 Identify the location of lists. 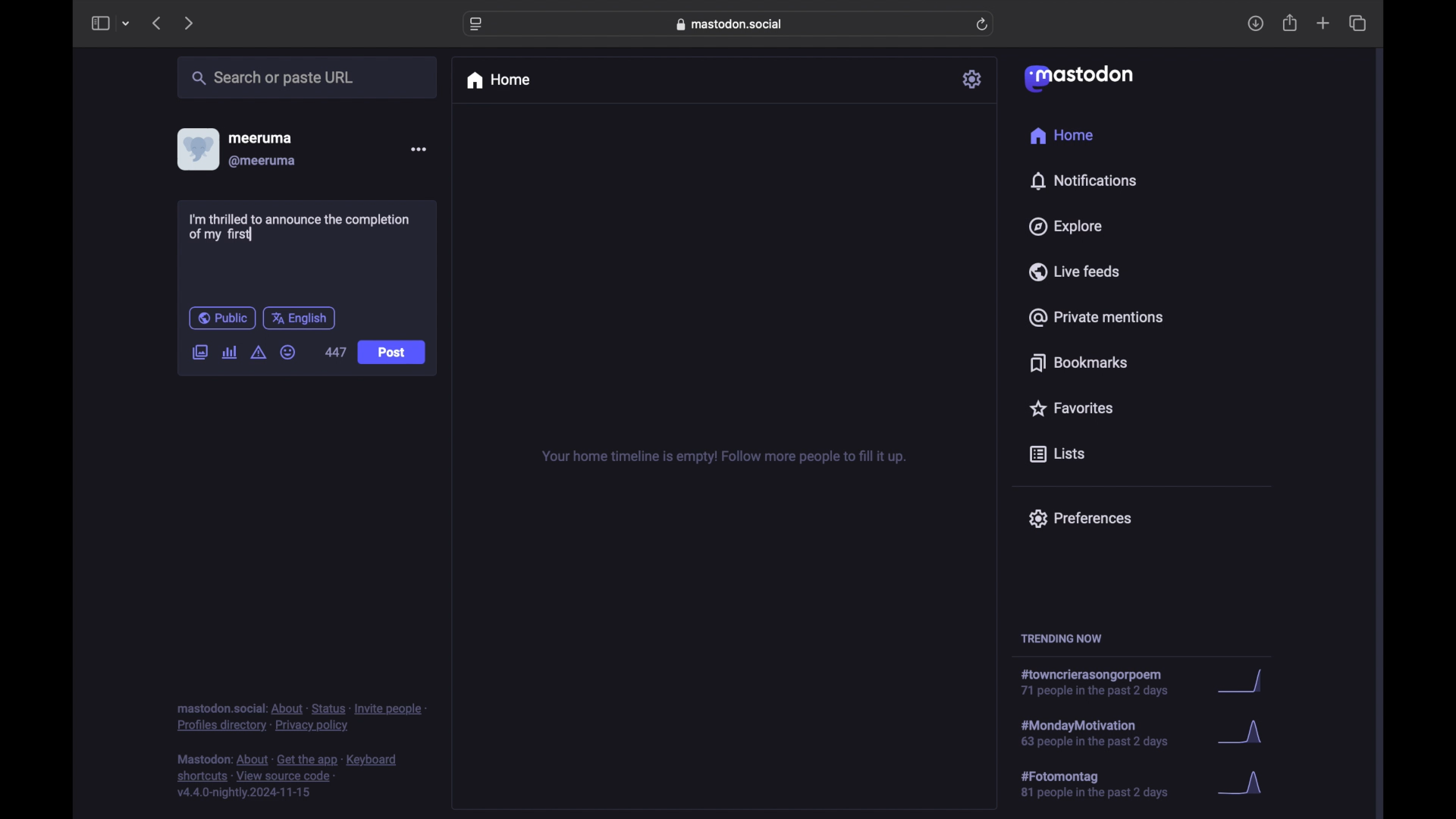
(1057, 455).